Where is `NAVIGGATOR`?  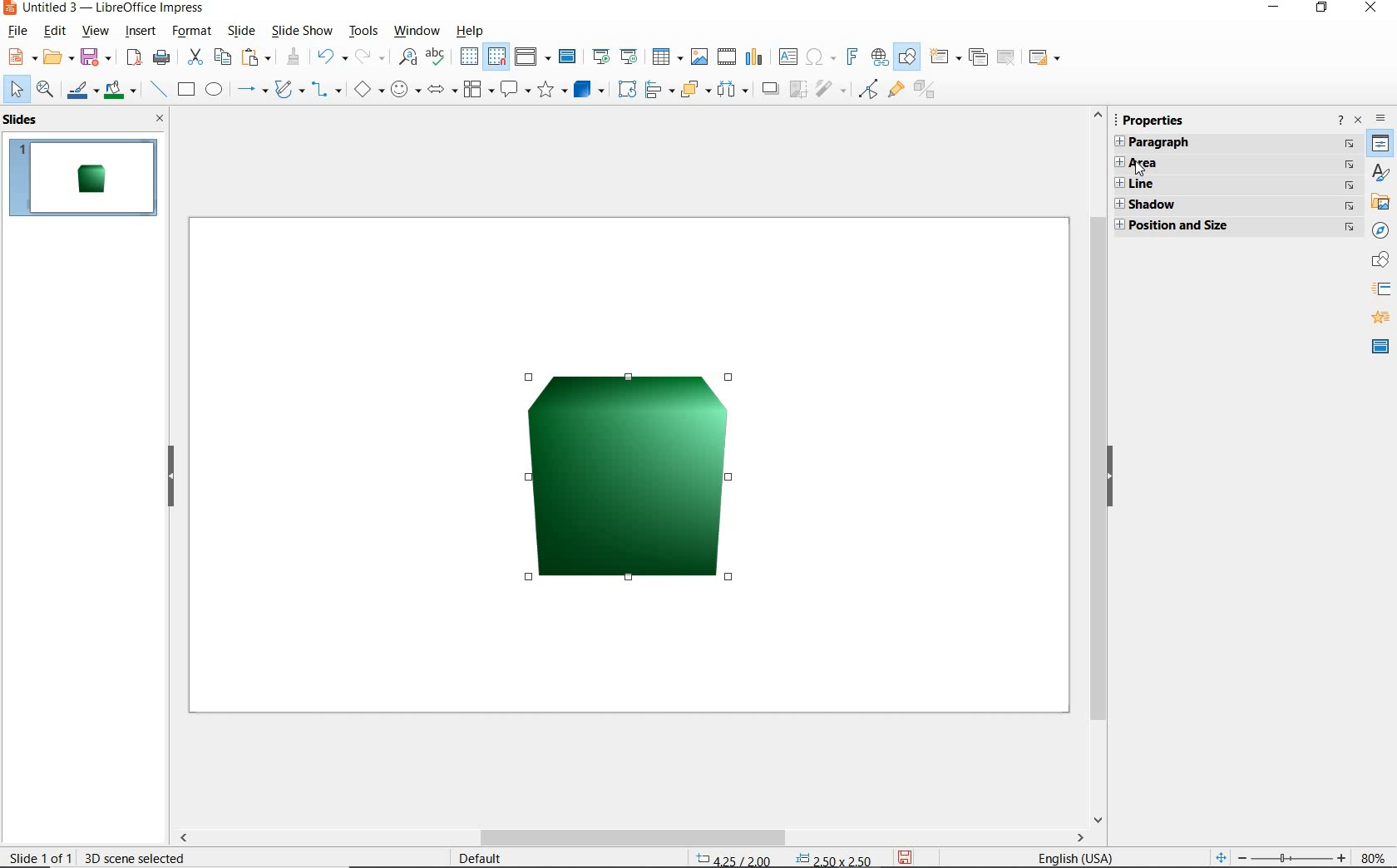
NAVIGGATOR is located at coordinates (1381, 231).